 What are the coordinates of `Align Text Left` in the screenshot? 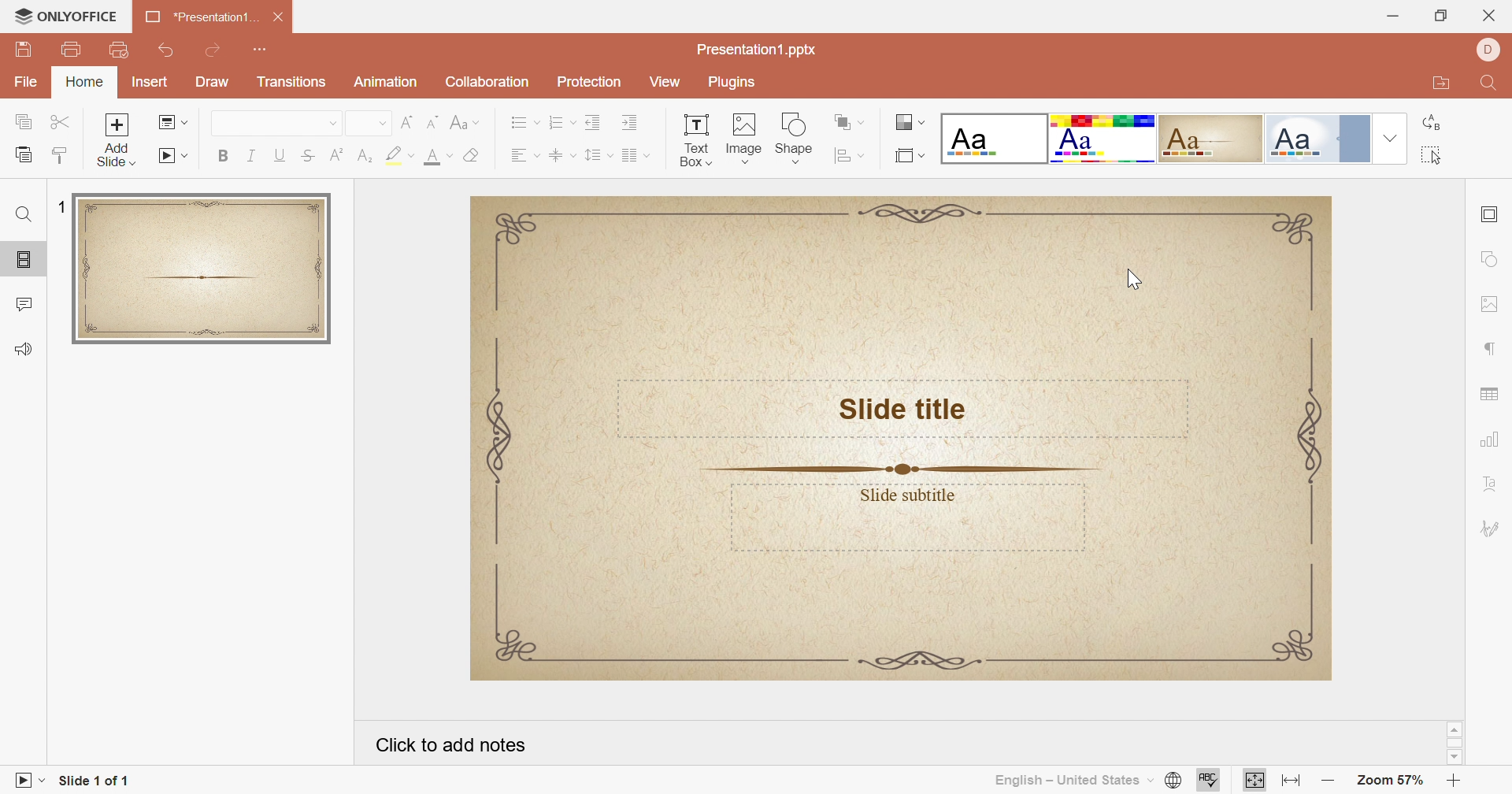 It's located at (518, 155).